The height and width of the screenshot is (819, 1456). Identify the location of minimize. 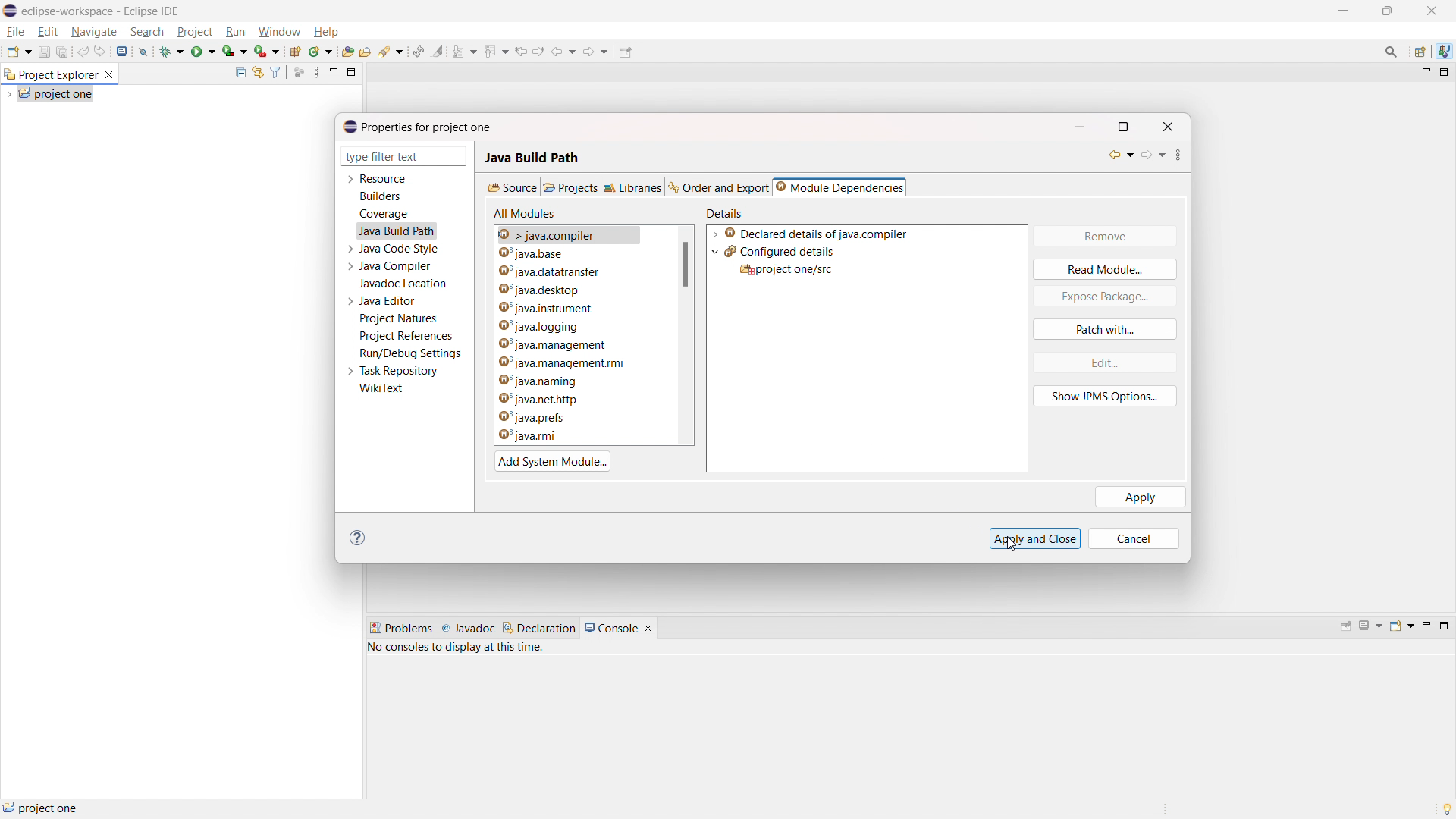
(1425, 626).